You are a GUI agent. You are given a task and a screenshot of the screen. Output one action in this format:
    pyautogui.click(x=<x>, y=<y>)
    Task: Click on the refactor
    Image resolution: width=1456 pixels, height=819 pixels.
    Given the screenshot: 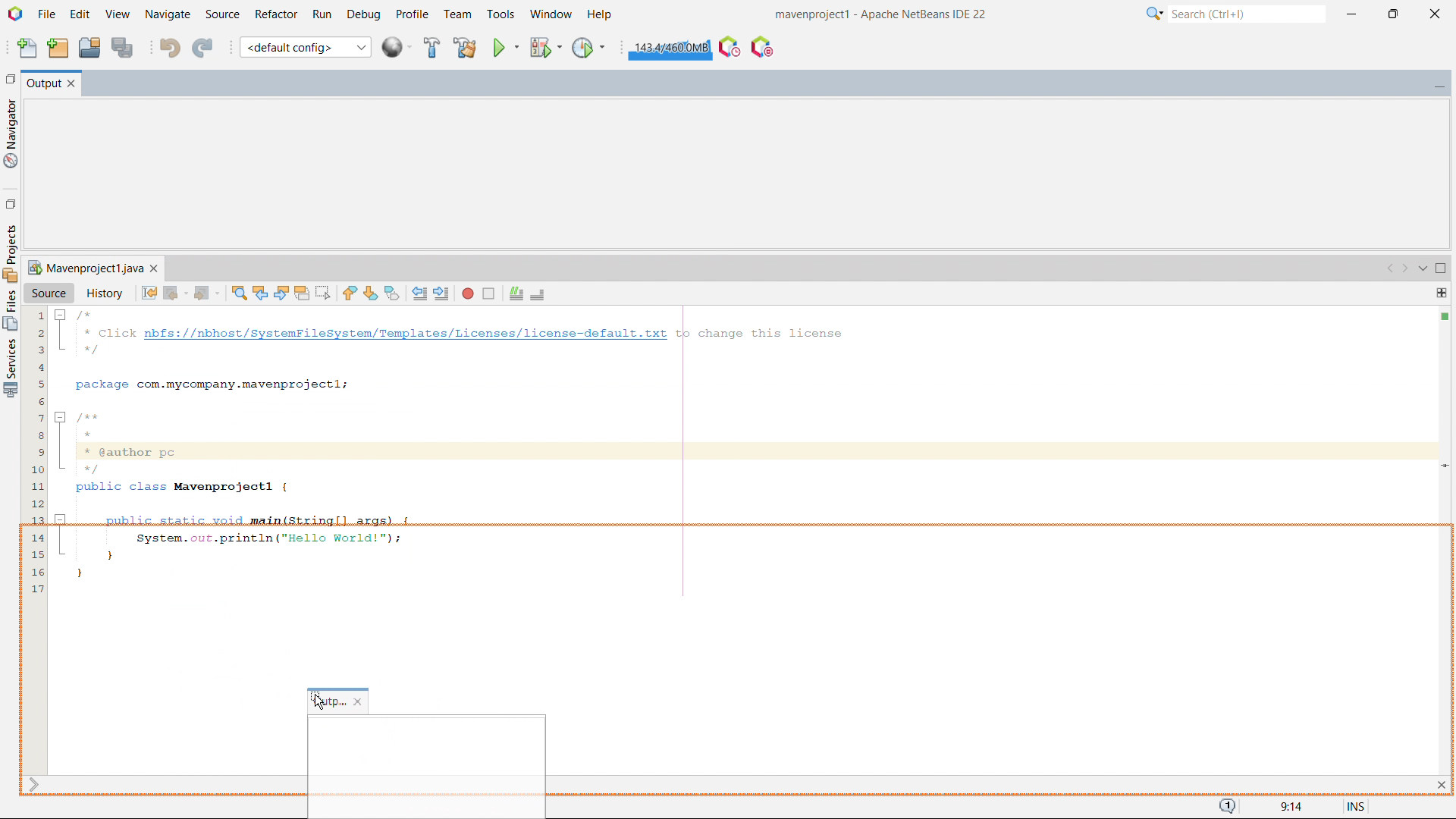 What is the action you would take?
    pyautogui.click(x=277, y=14)
    